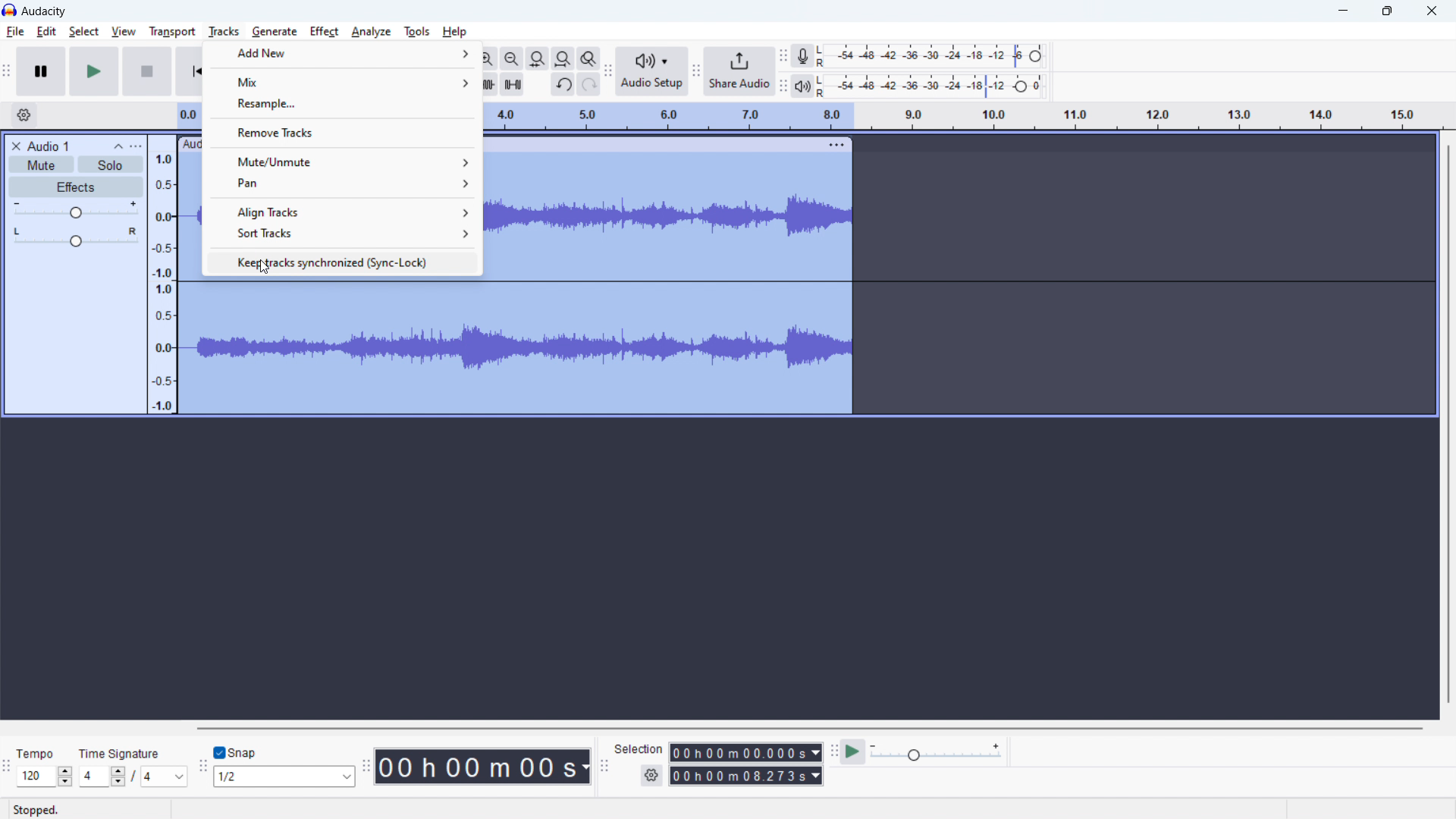 This screenshot has width=1456, height=819. What do you see at coordinates (36, 808) in the screenshot?
I see `Stopped` at bounding box center [36, 808].